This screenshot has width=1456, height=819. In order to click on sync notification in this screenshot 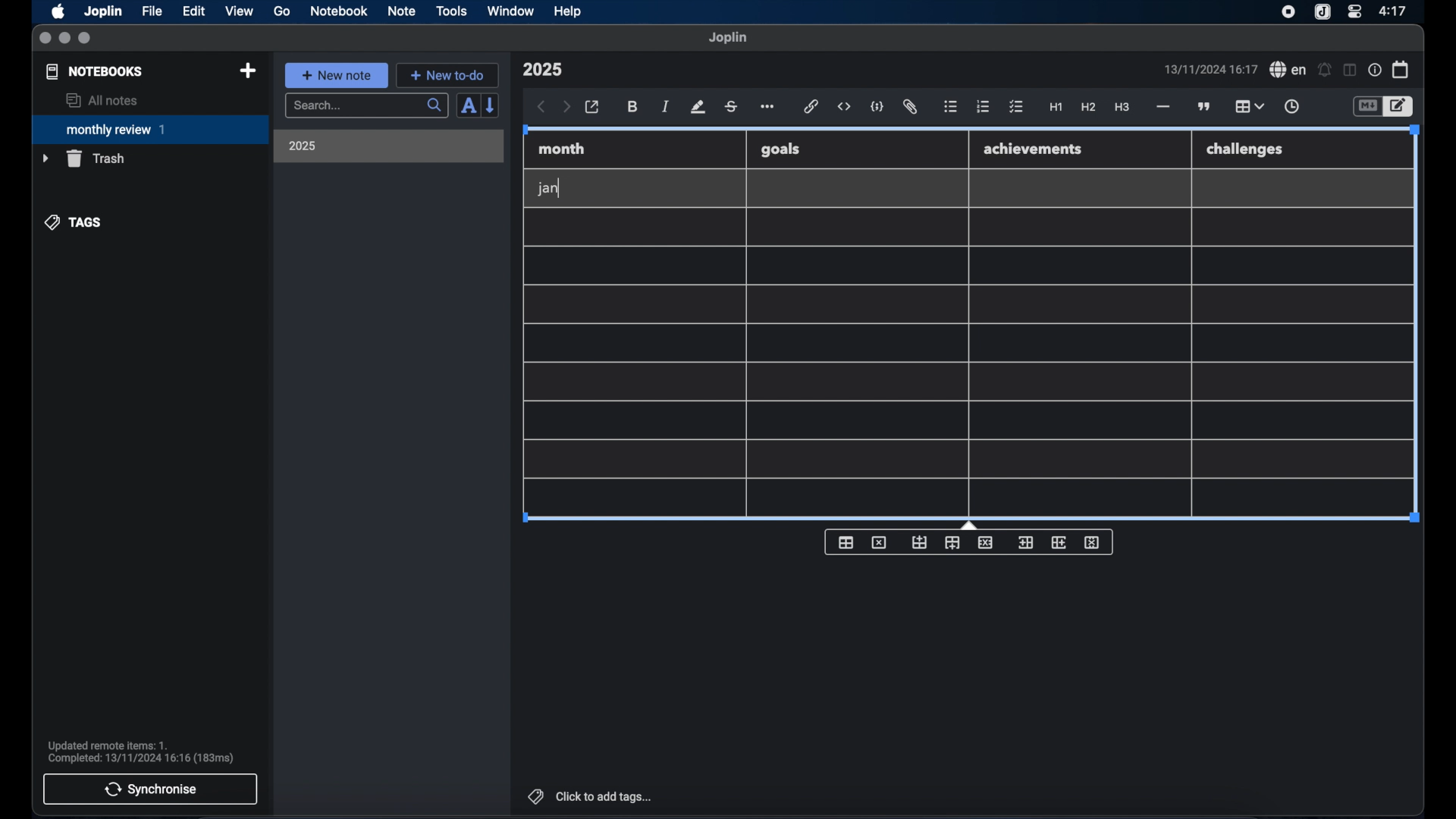, I will do `click(141, 752)`.